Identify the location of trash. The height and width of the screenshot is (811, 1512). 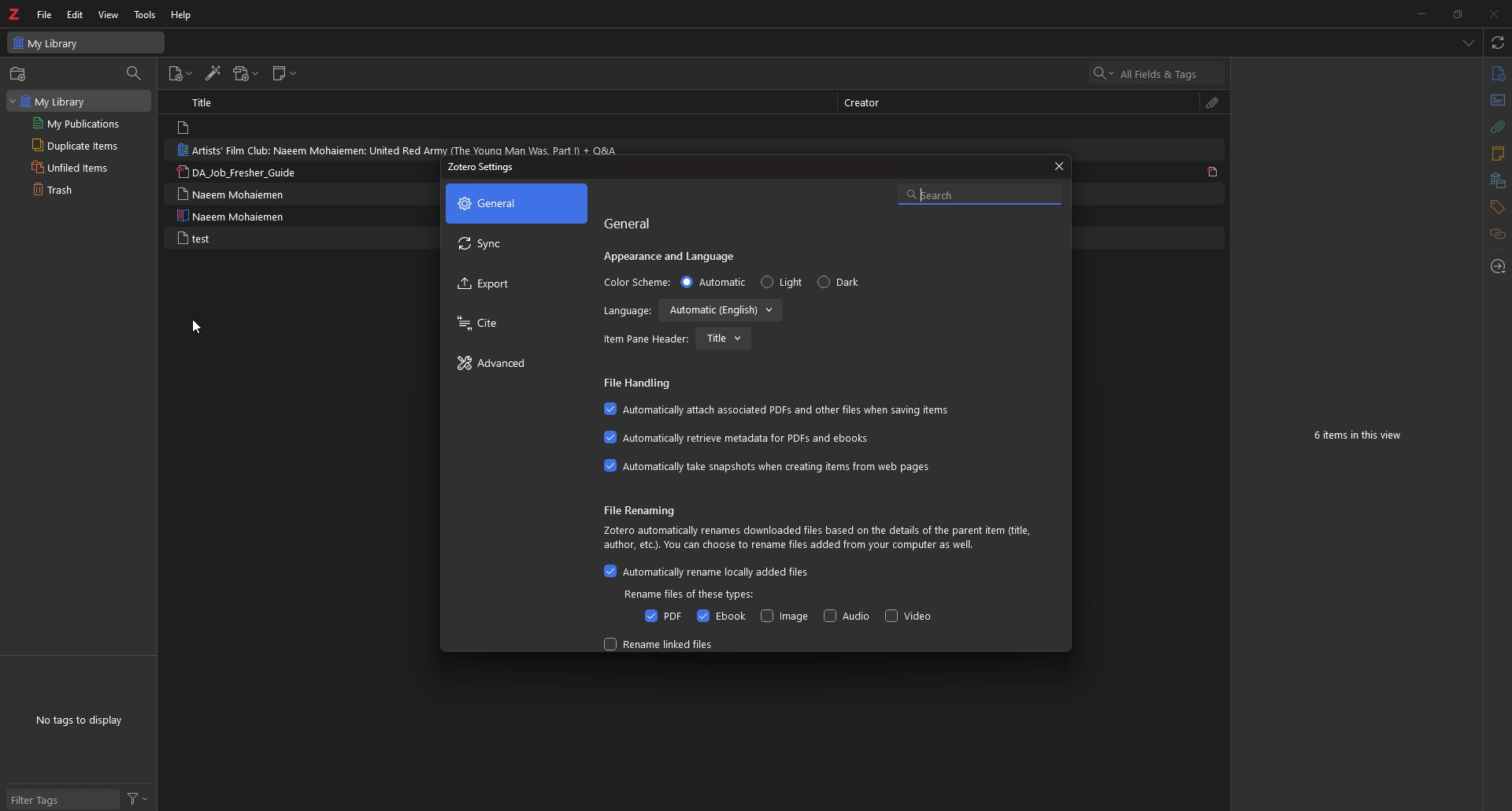
(78, 191).